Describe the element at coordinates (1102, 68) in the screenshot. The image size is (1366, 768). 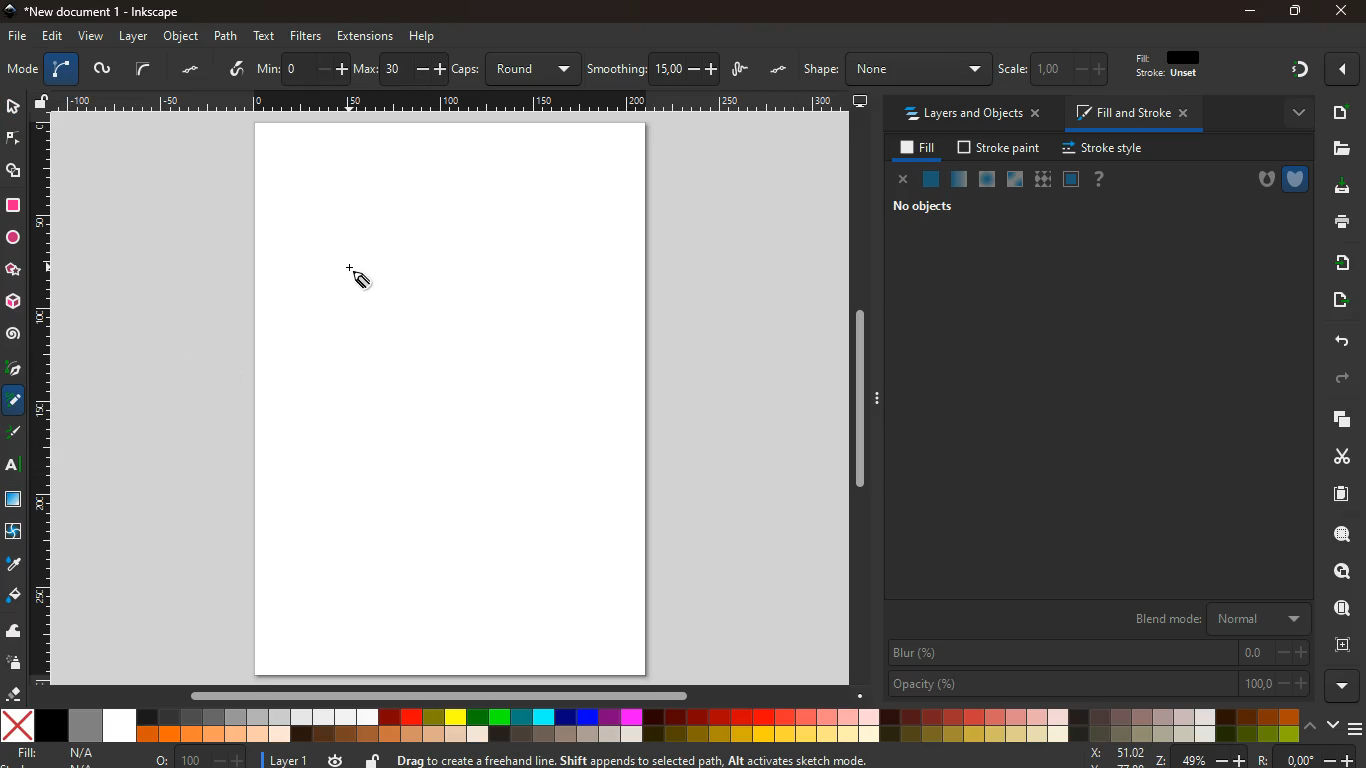
I see `edit` at that location.